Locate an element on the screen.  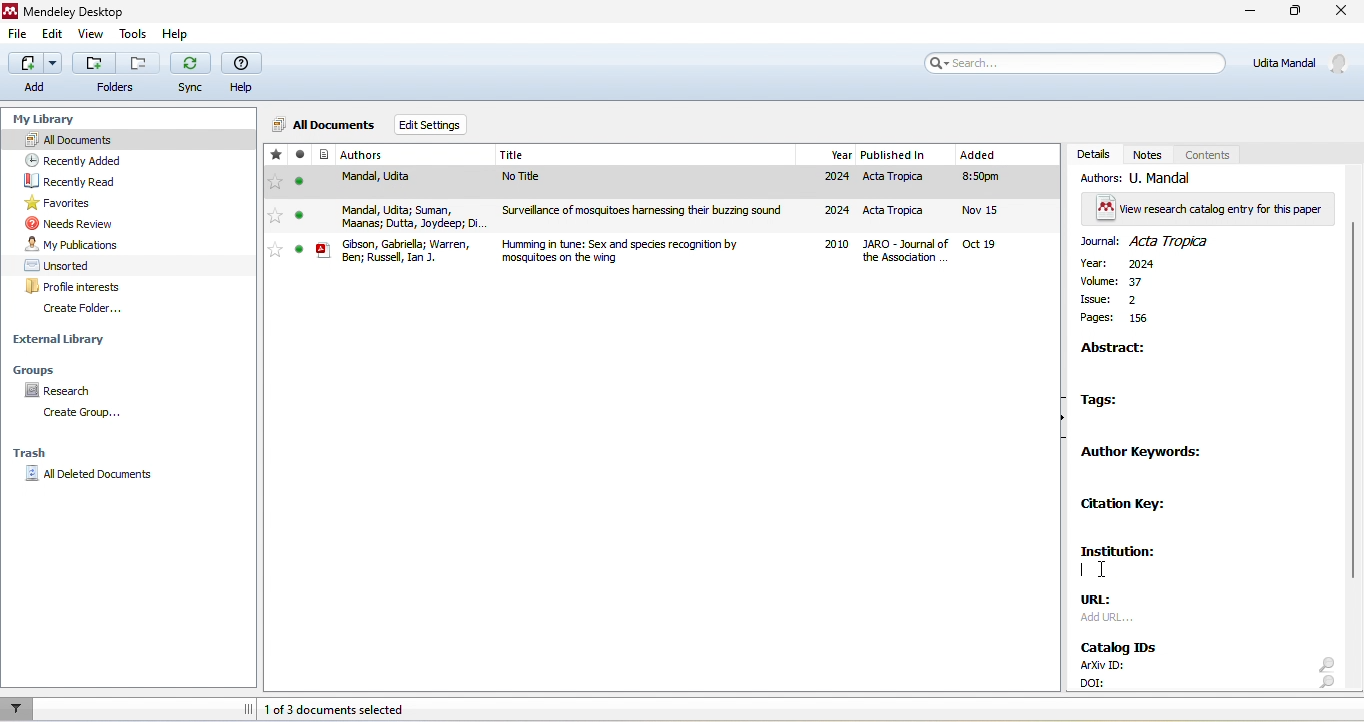
citation key is located at coordinates (1129, 505).